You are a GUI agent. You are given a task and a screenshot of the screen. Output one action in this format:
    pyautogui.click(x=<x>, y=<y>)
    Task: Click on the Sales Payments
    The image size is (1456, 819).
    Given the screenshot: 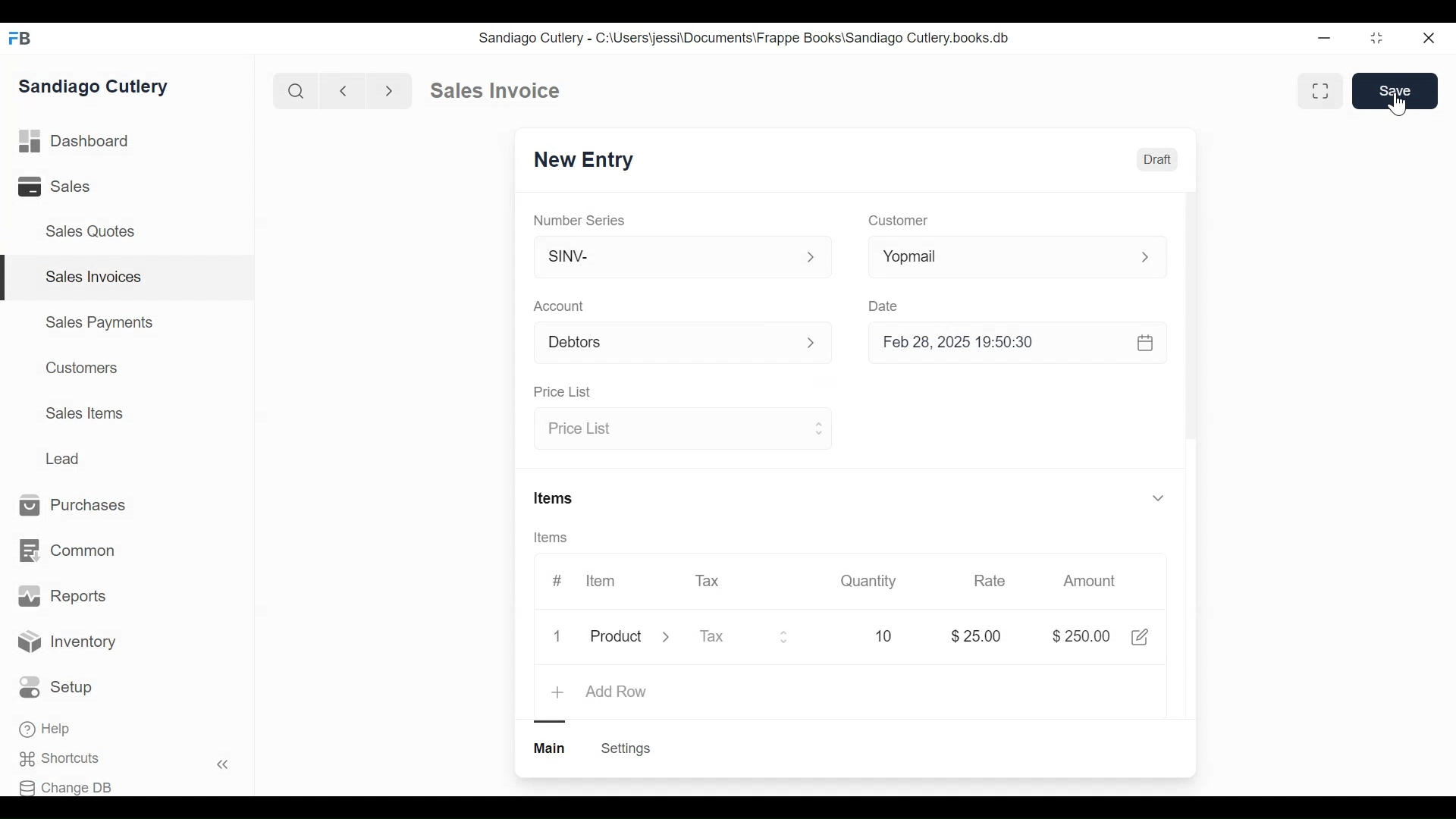 What is the action you would take?
    pyautogui.click(x=98, y=322)
    